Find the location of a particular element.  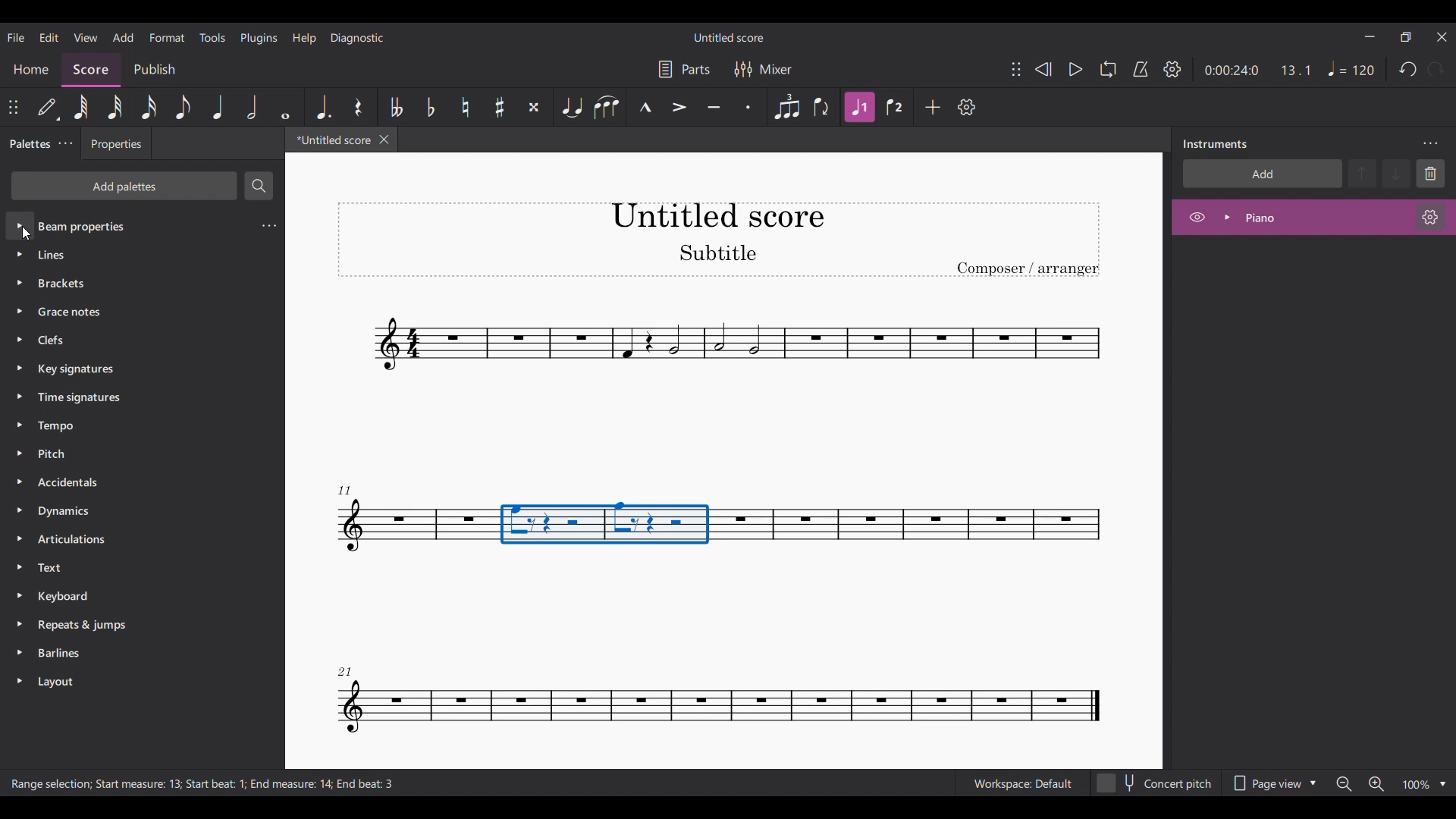

Add instrument is located at coordinates (1263, 173).